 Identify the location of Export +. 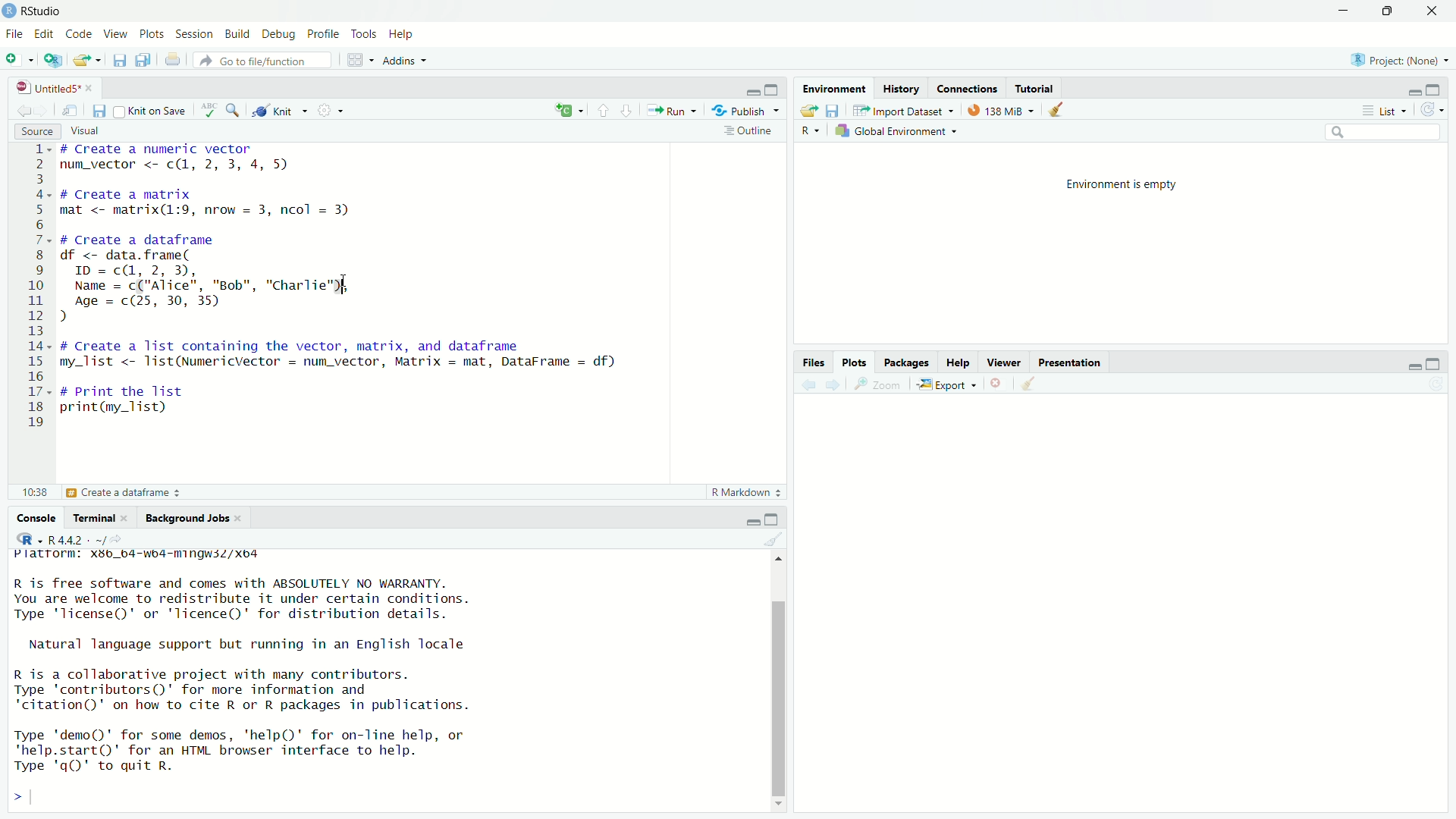
(949, 386).